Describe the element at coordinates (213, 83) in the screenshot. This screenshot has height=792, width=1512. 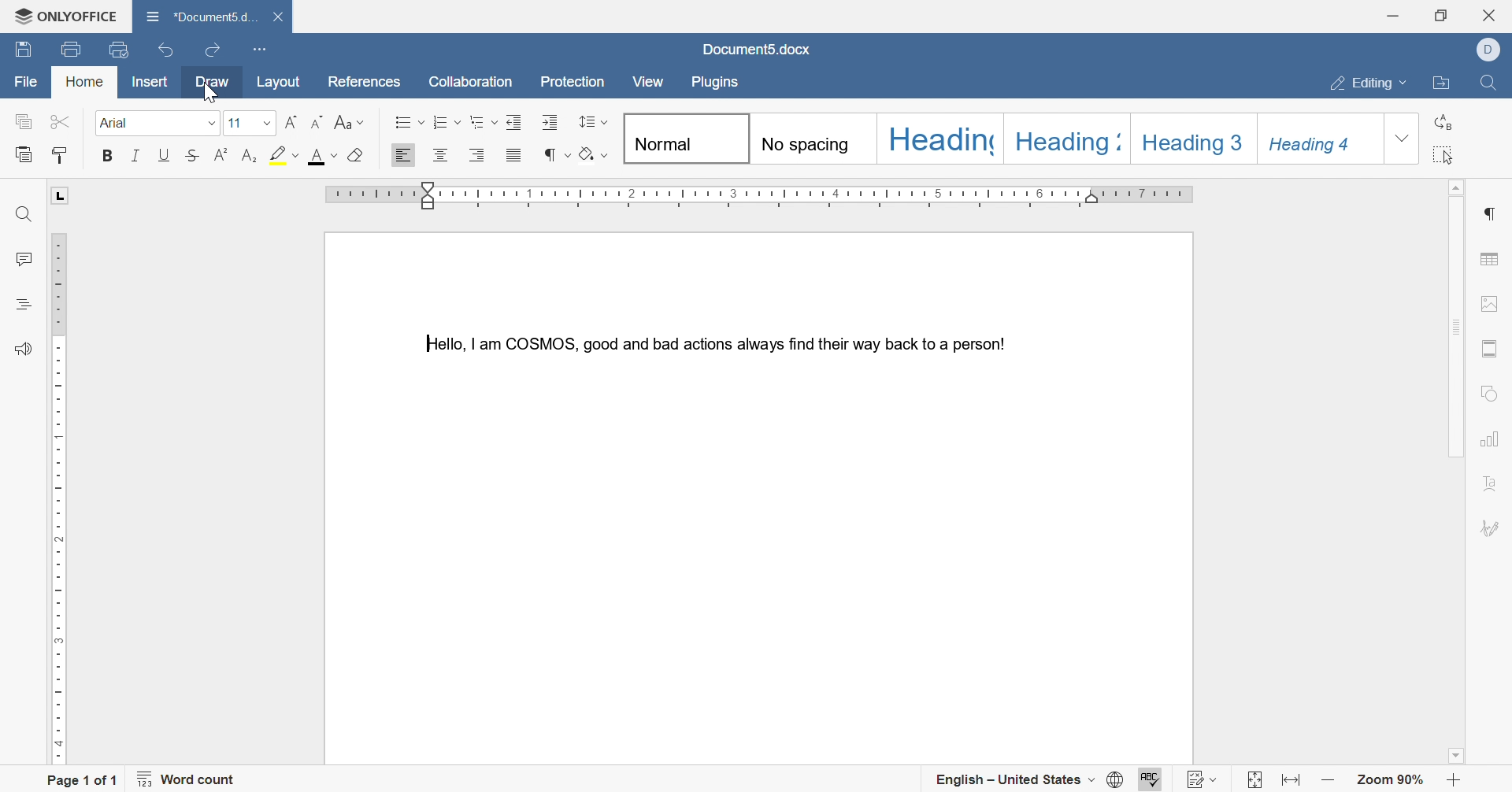
I see `draw` at that location.